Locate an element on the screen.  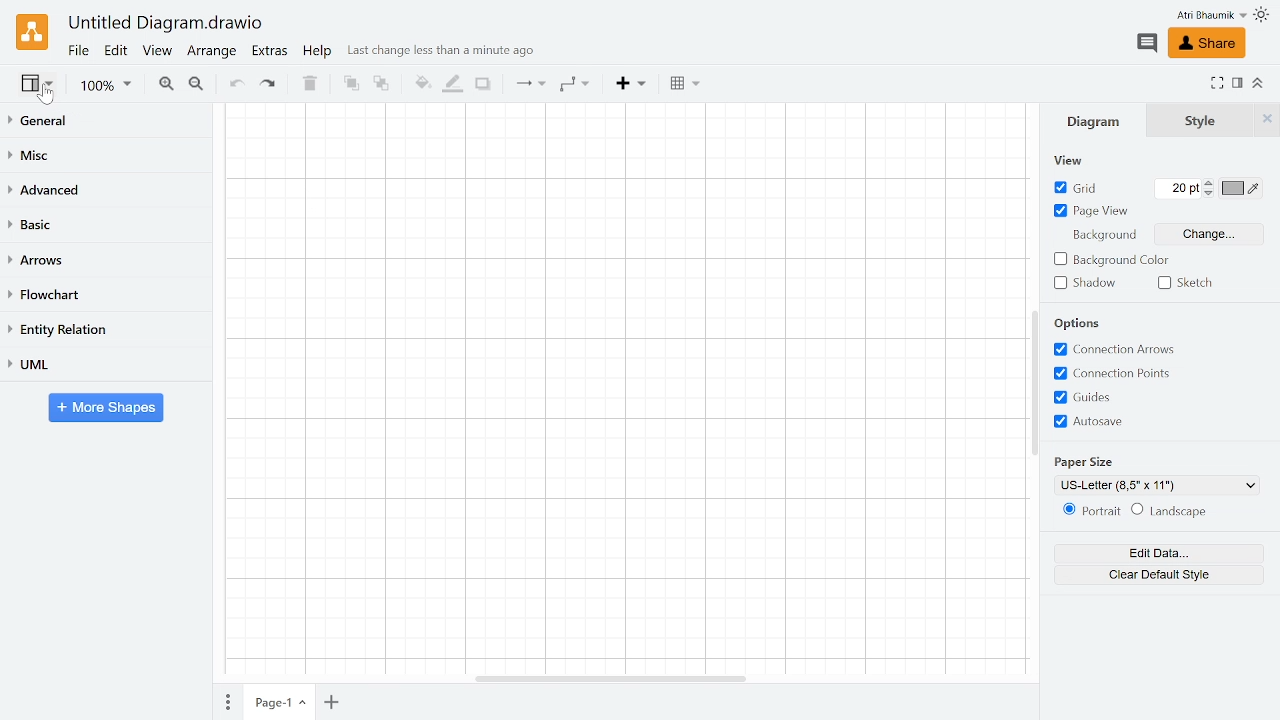
UML is located at coordinates (102, 365).